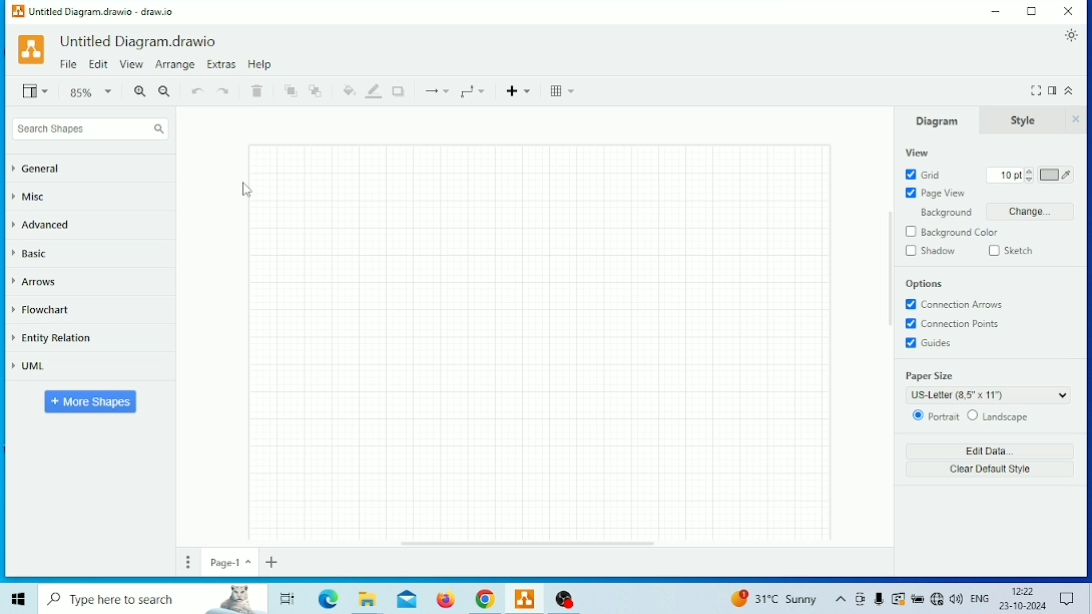 Image resolution: width=1092 pixels, height=614 pixels. Describe the element at coordinates (140, 91) in the screenshot. I see `Zoom In` at that location.